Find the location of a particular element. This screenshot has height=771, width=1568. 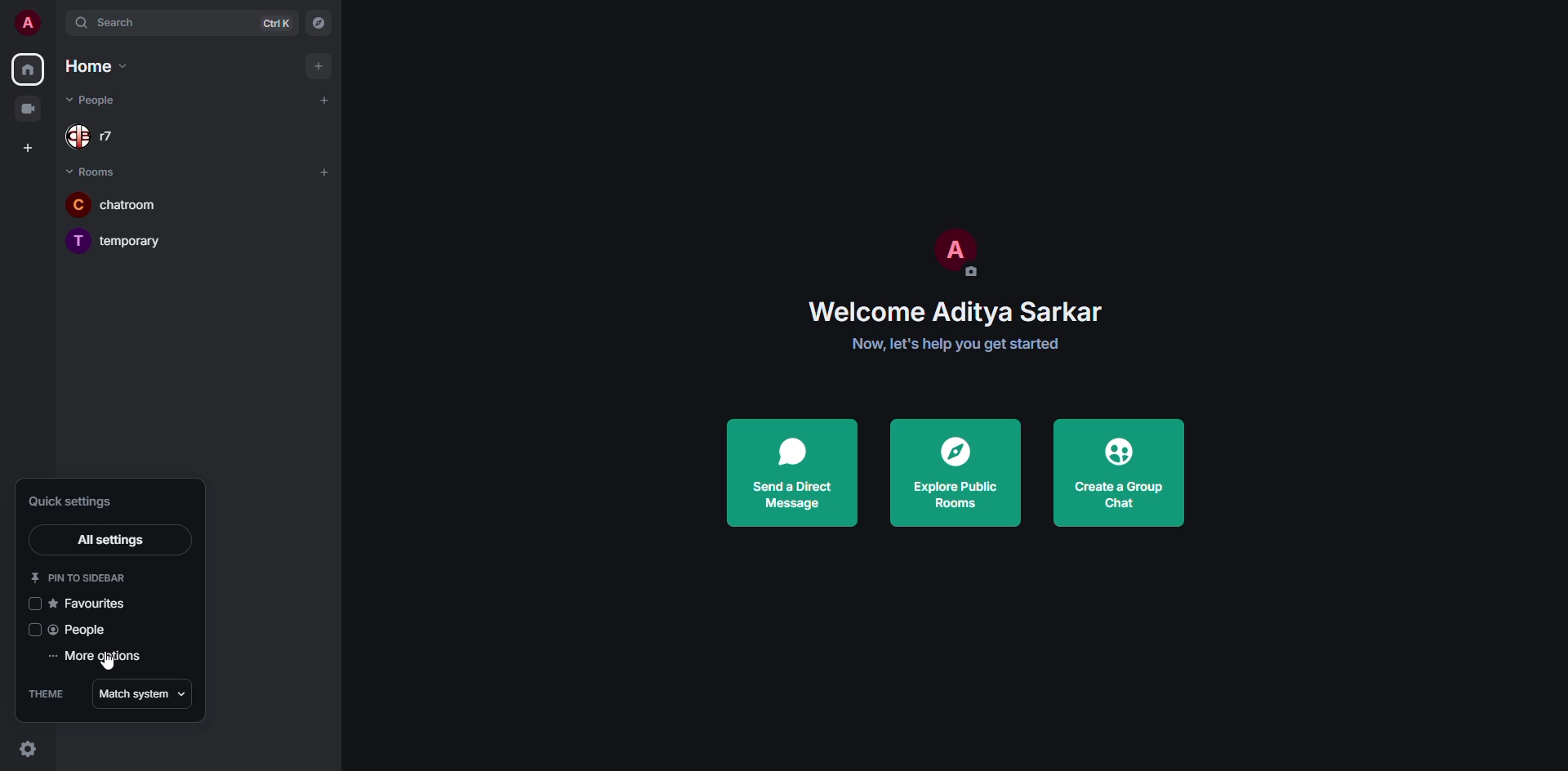

click to enable is located at coordinates (33, 604).